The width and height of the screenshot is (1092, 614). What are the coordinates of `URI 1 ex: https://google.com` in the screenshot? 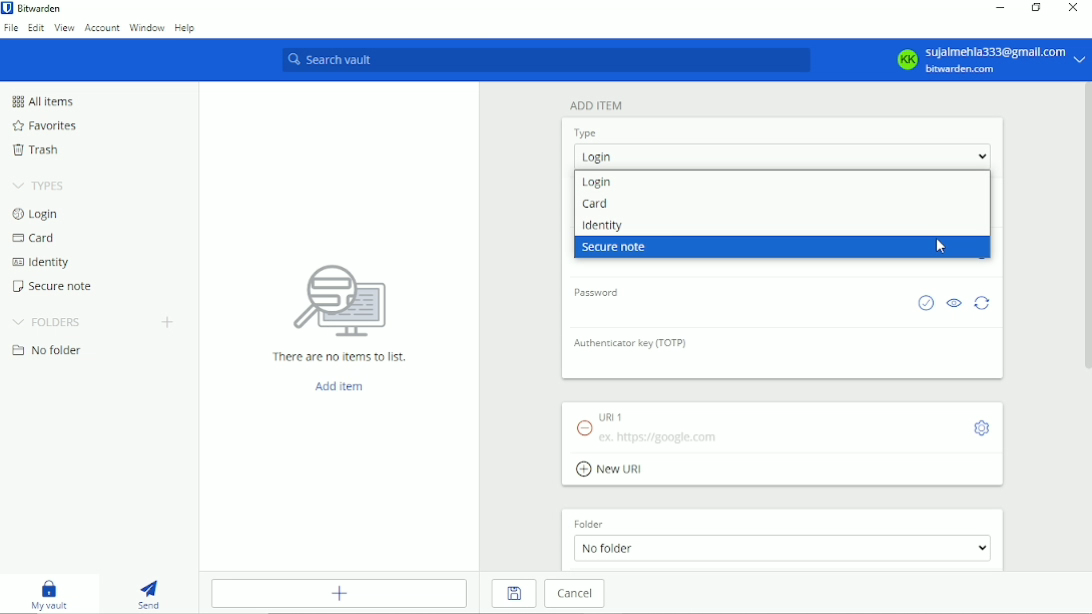 It's located at (646, 426).